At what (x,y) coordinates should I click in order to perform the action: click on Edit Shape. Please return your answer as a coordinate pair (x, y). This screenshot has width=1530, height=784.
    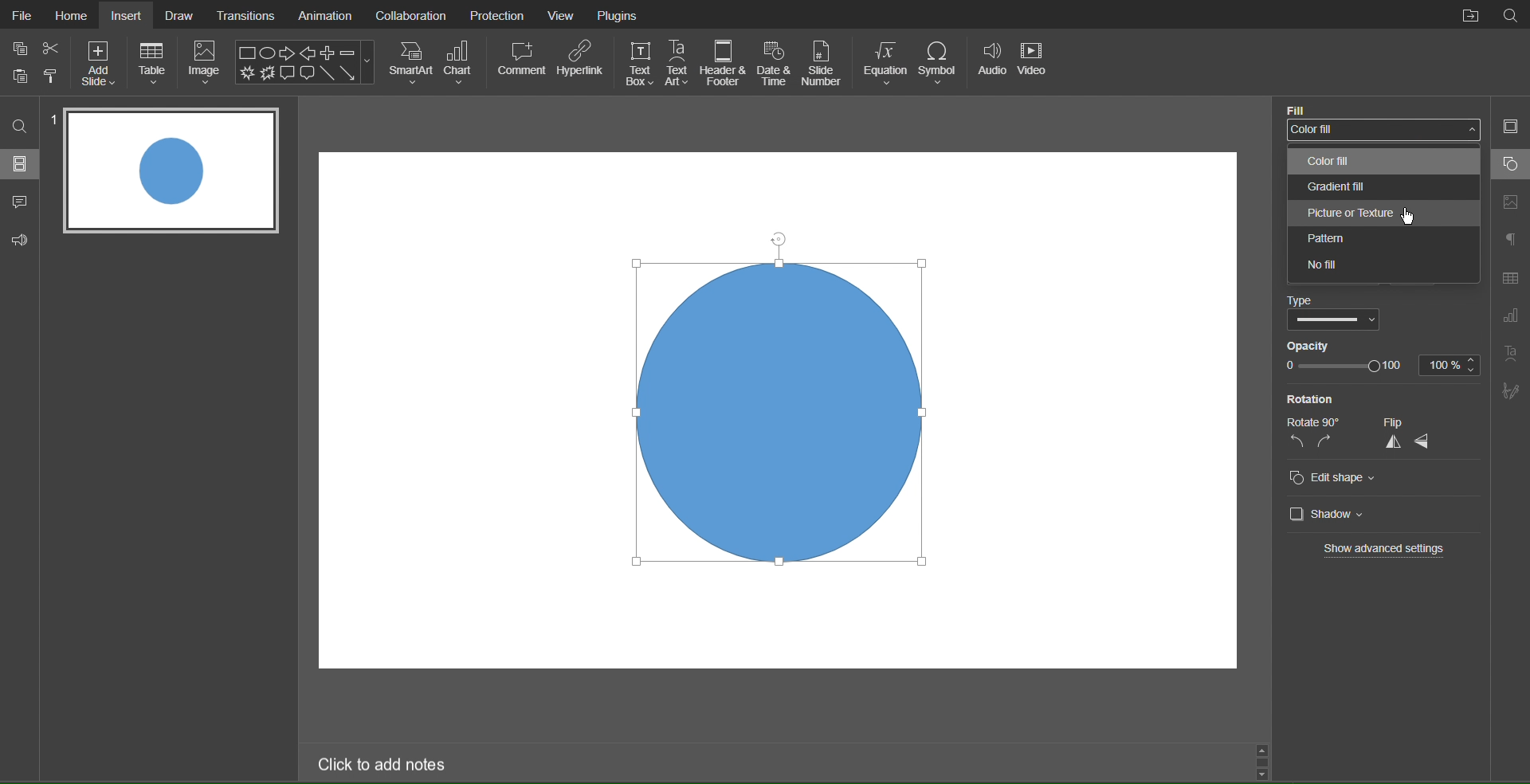
    Looking at the image, I should click on (1332, 479).